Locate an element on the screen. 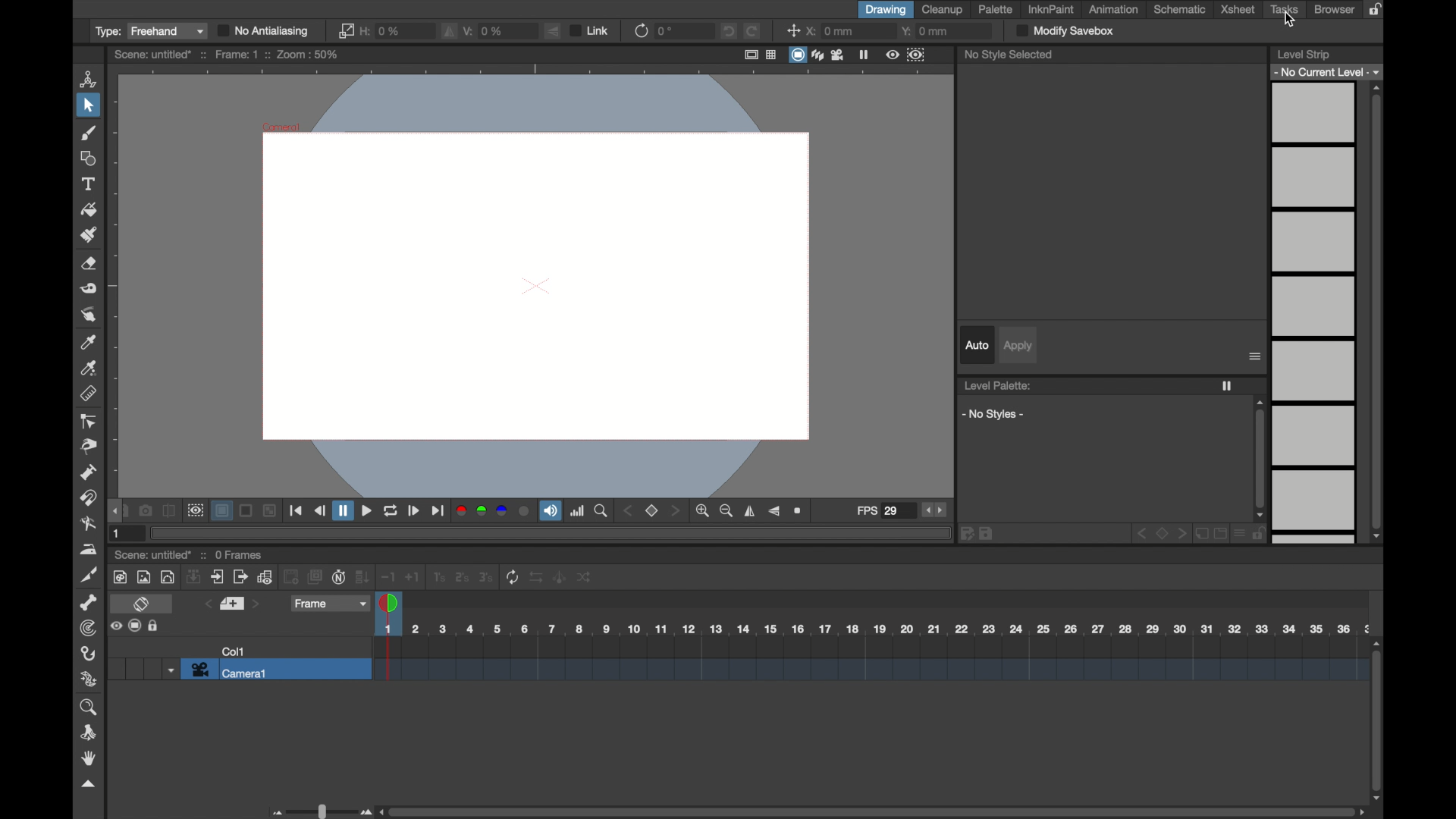 This screenshot has height=819, width=1456. paint brush tool is located at coordinates (90, 235).